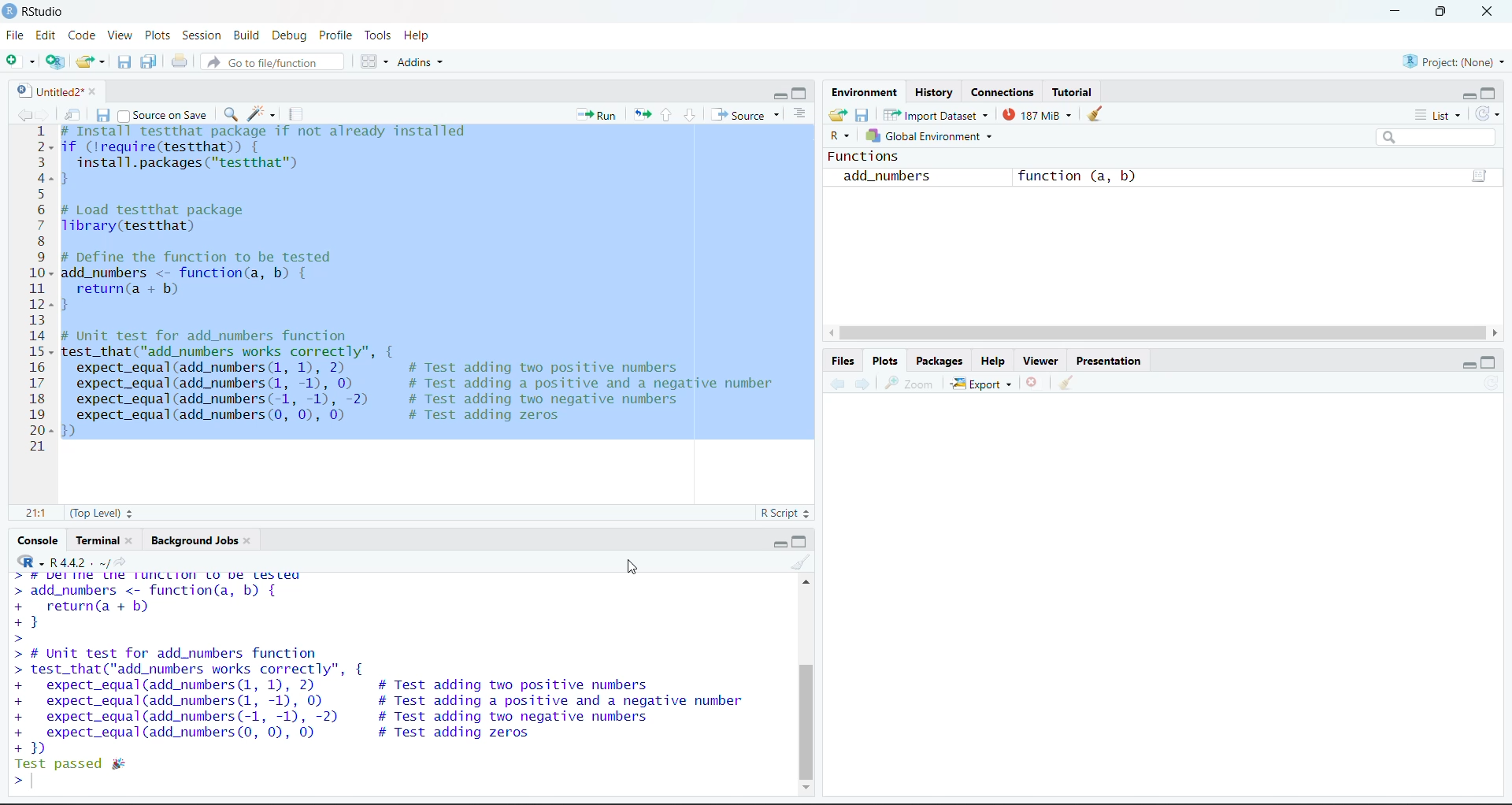  What do you see at coordinates (150, 62) in the screenshot?
I see `save all open documents` at bounding box center [150, 62].